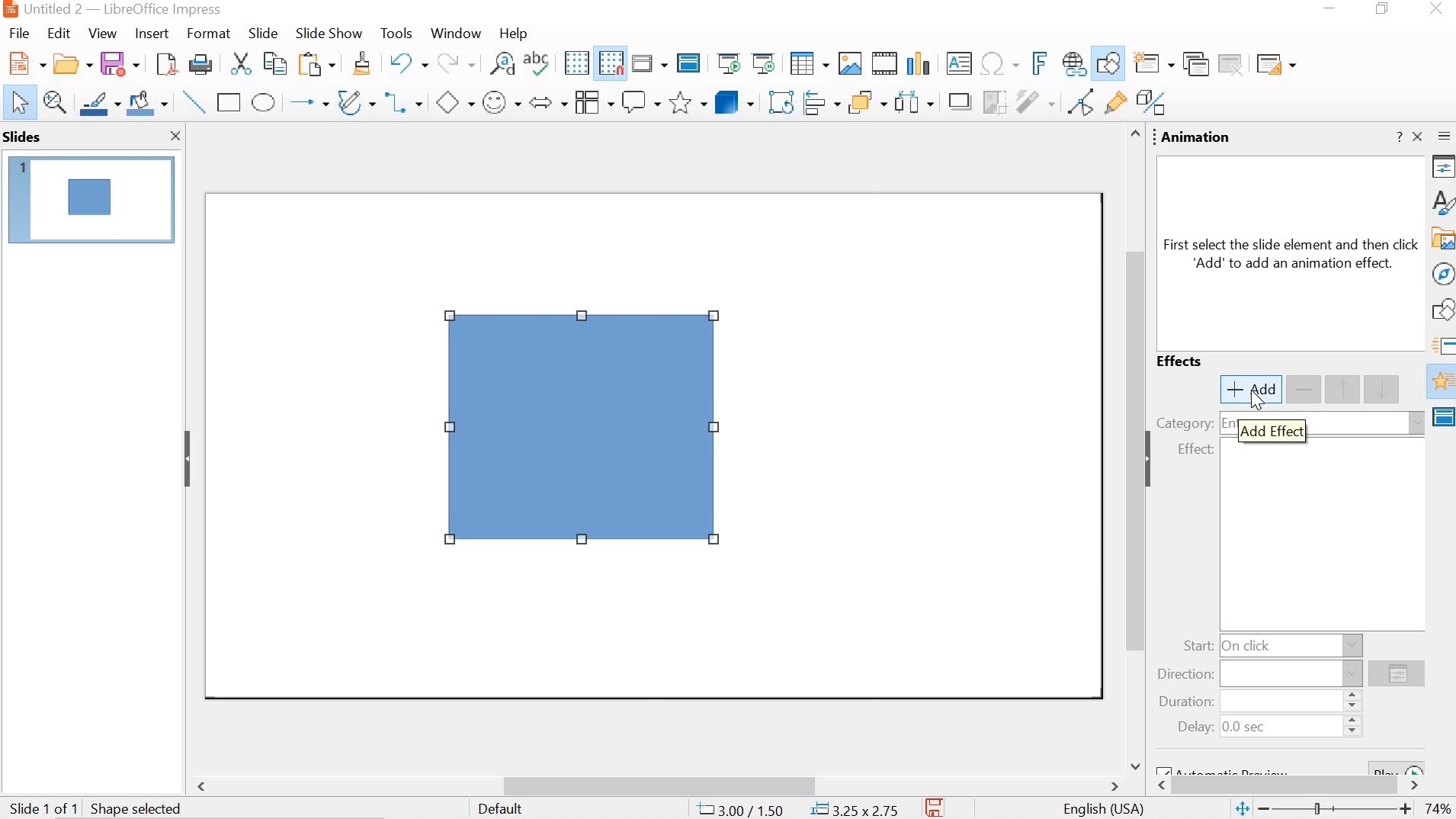  What do you see at coordinates (1272, 429) in the screenshot?
I see `add effect` at bounding box center [1272, 429].